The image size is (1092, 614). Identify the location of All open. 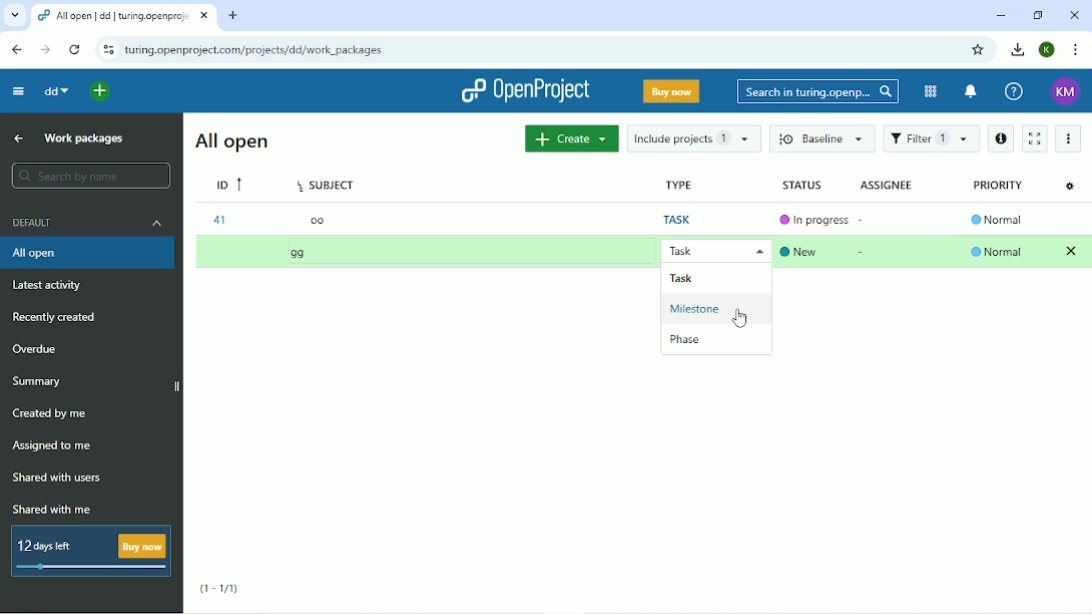
(89, 254).